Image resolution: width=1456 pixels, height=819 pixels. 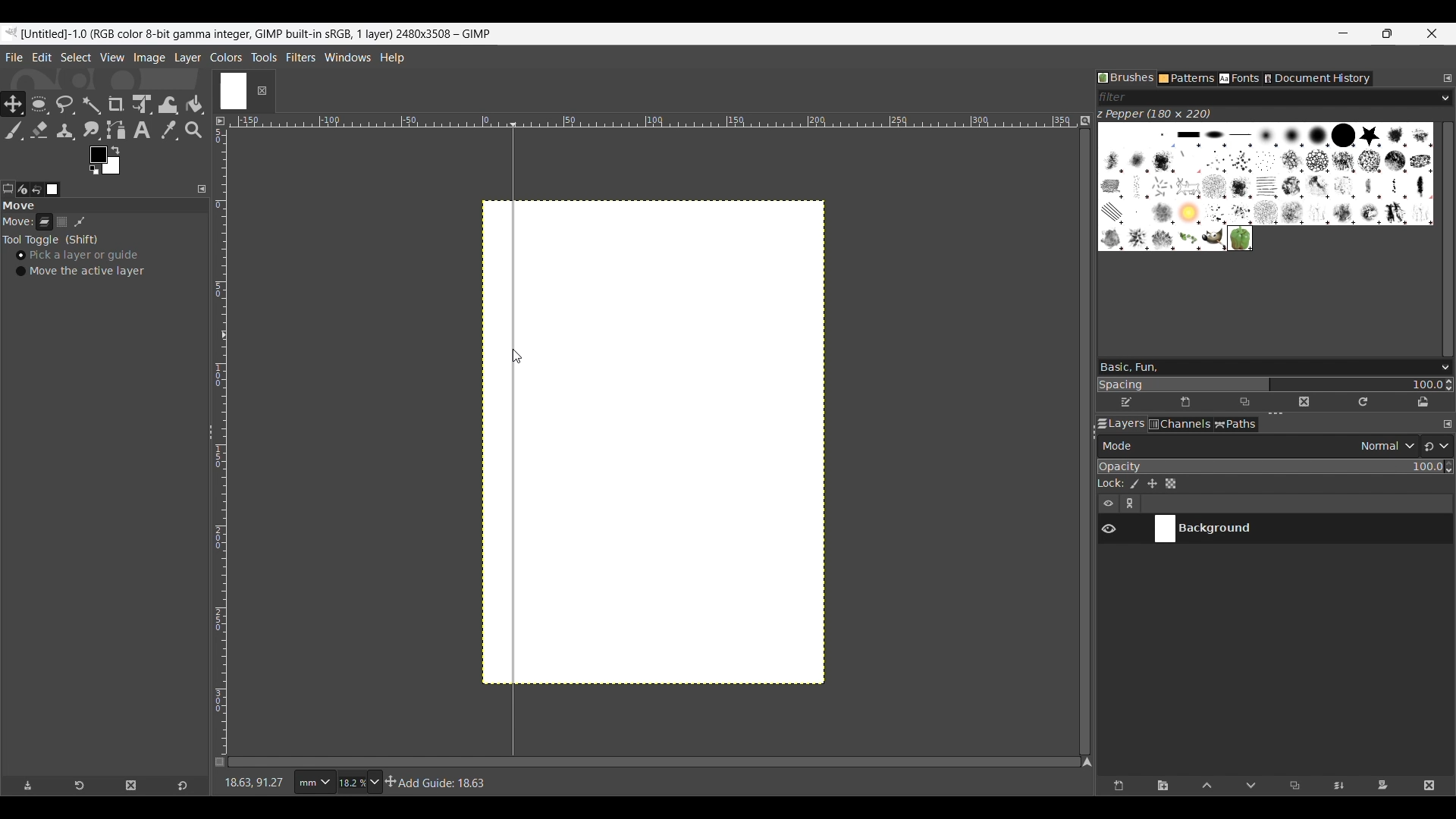 I want to click on Move tool, current selection highlighted, so click(x=11, y=102).